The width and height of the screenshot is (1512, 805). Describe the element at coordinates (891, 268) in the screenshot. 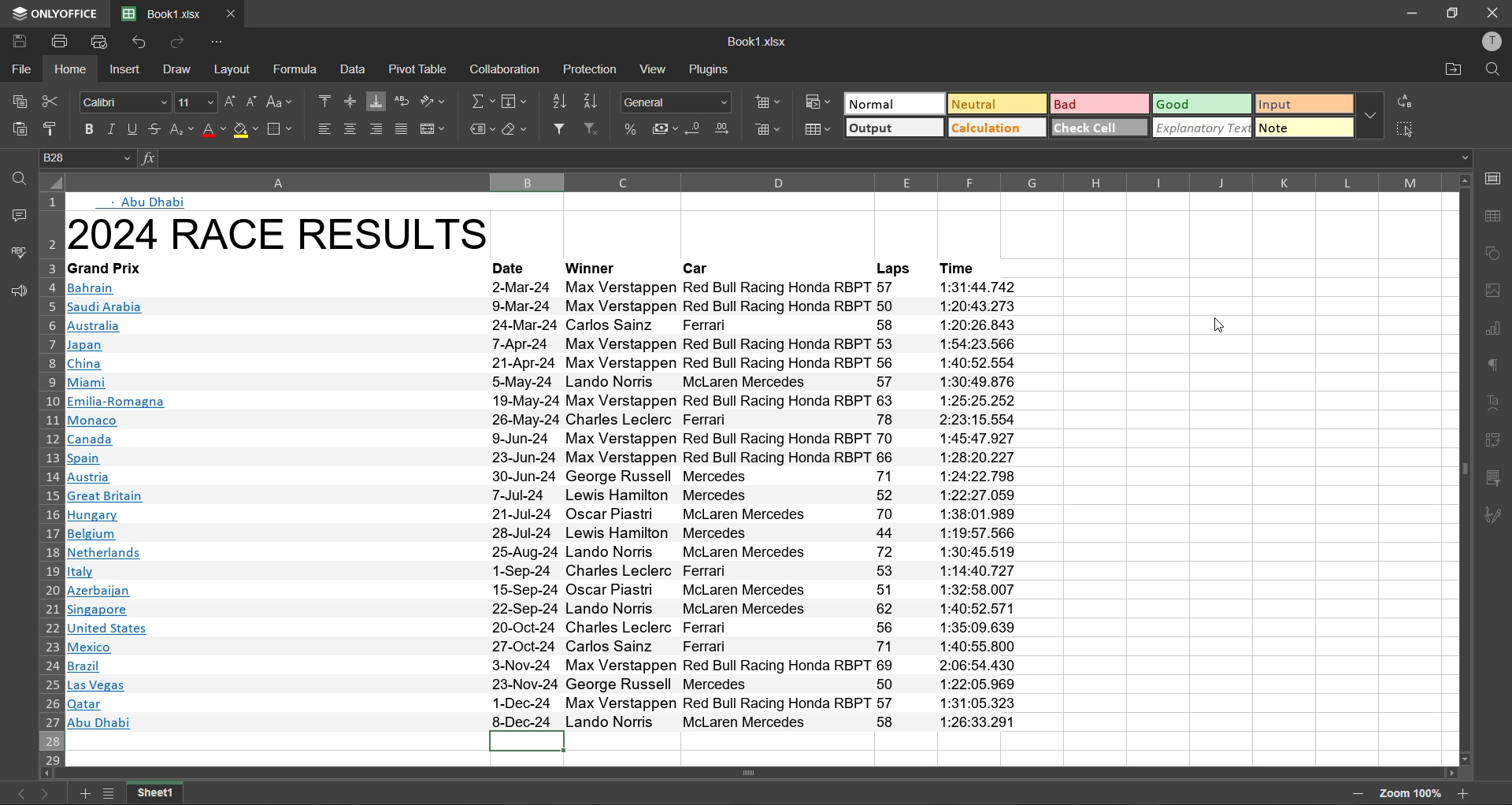

I see `Laps` at that location.